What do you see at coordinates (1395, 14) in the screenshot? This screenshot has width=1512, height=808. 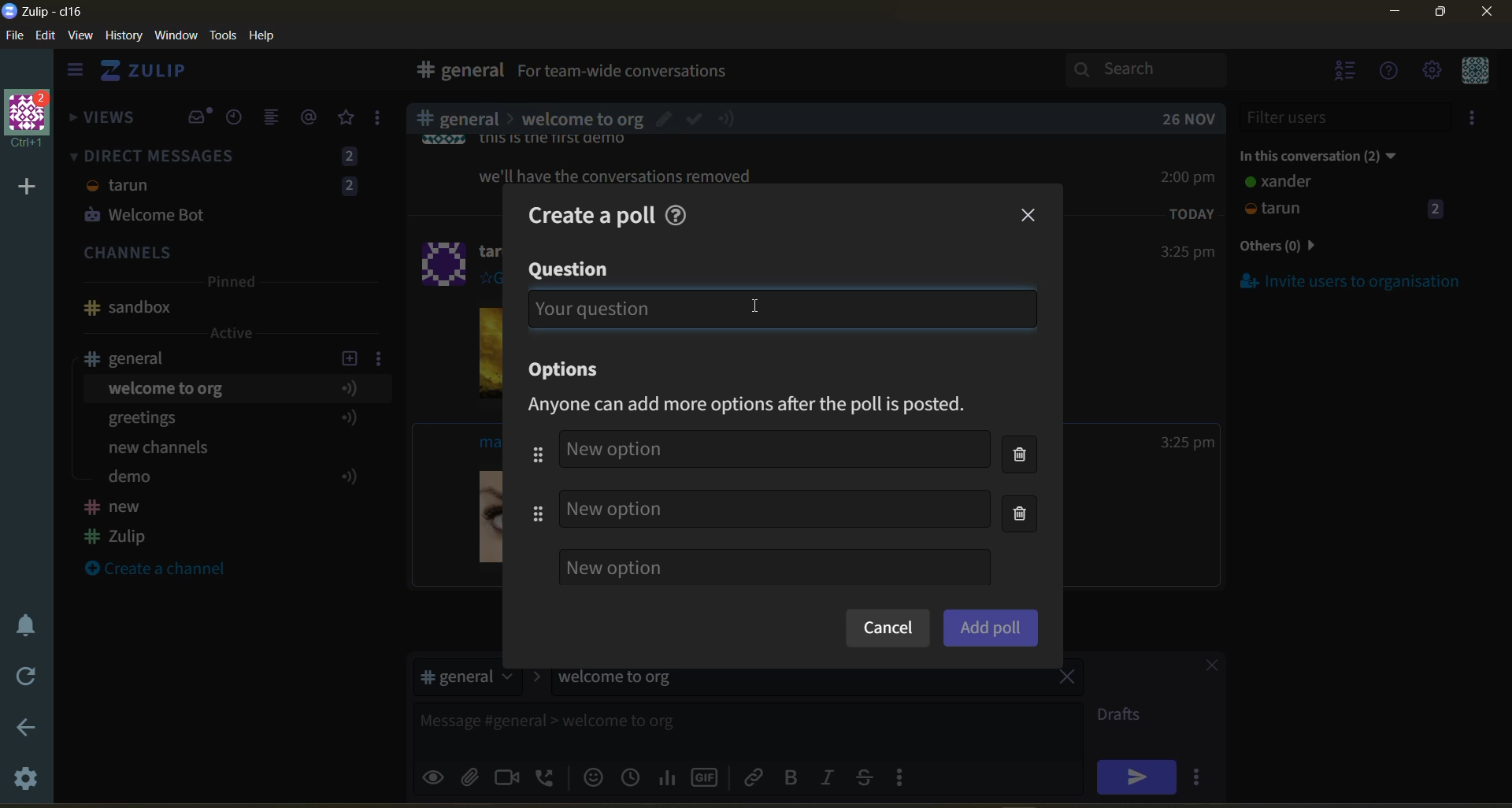 I see `minimize` at bounding box center [1395, 14].